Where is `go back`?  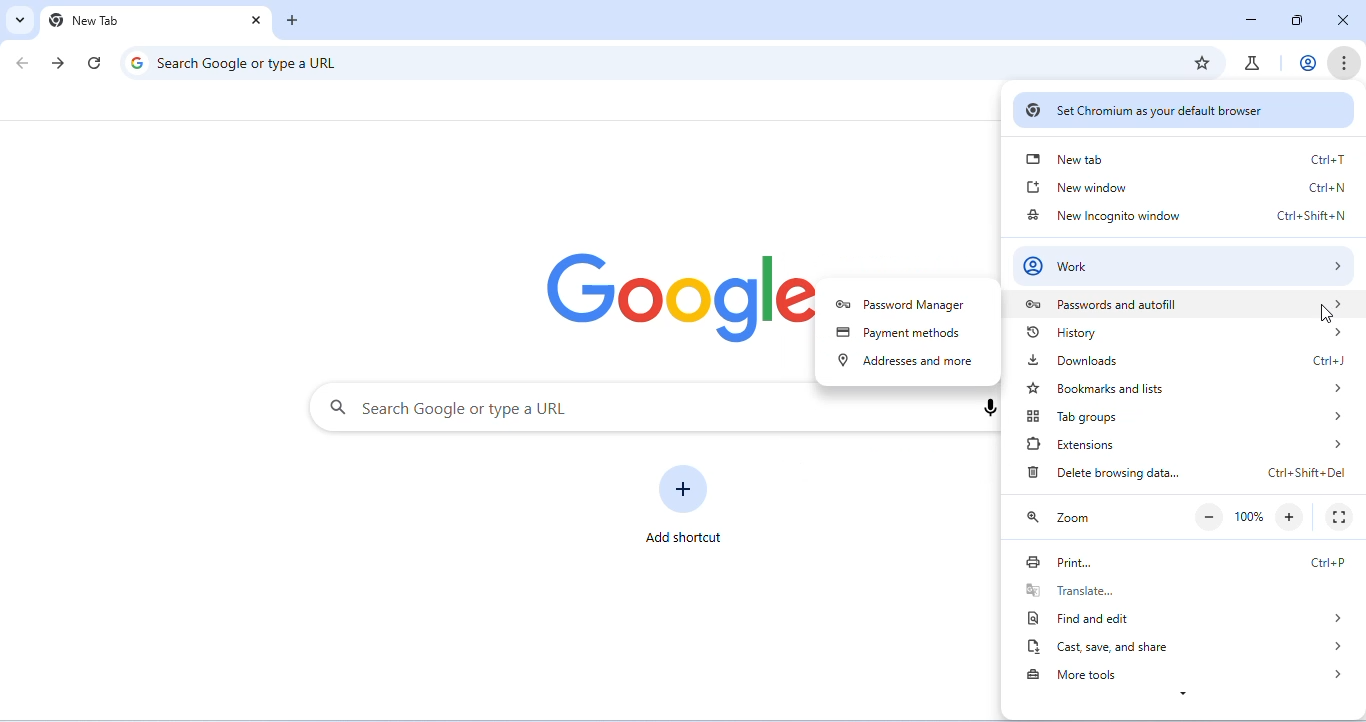
go back is located at coordinates (23, 63).